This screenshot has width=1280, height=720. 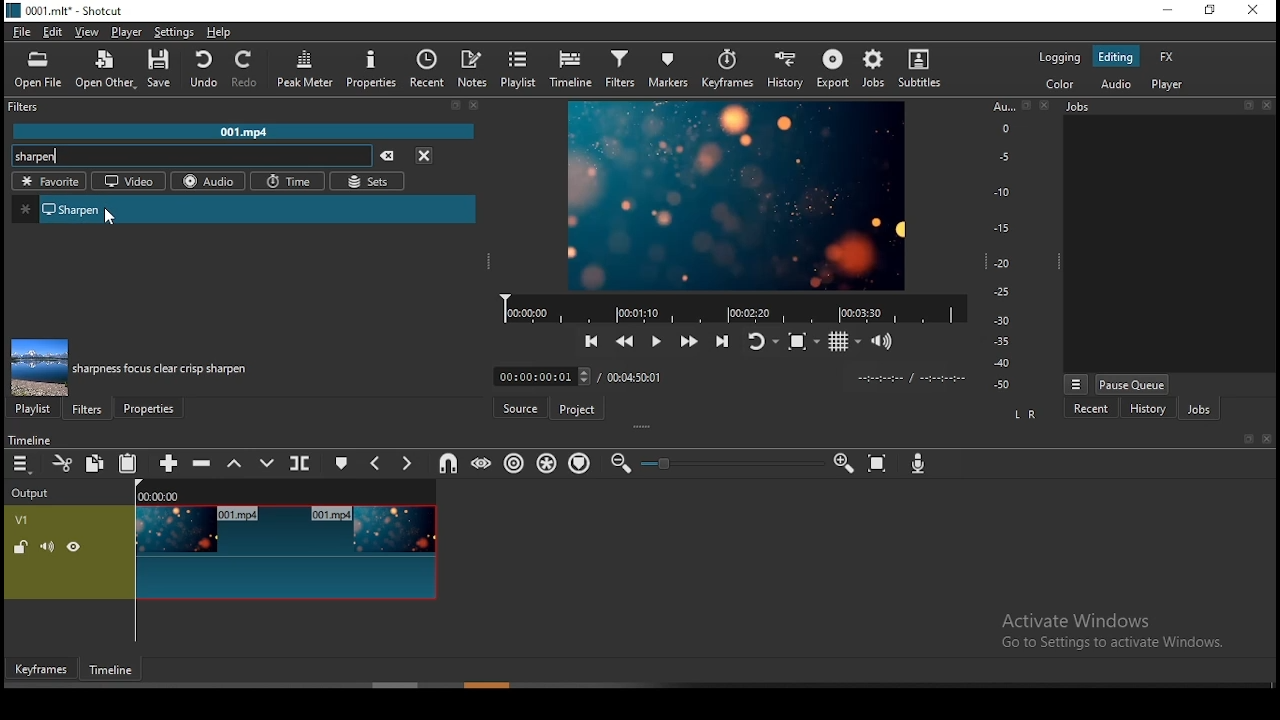 What do you see at coordinates (727, 67) in the screenshot?
I see `keyframes` at bounding box center [727, 67].